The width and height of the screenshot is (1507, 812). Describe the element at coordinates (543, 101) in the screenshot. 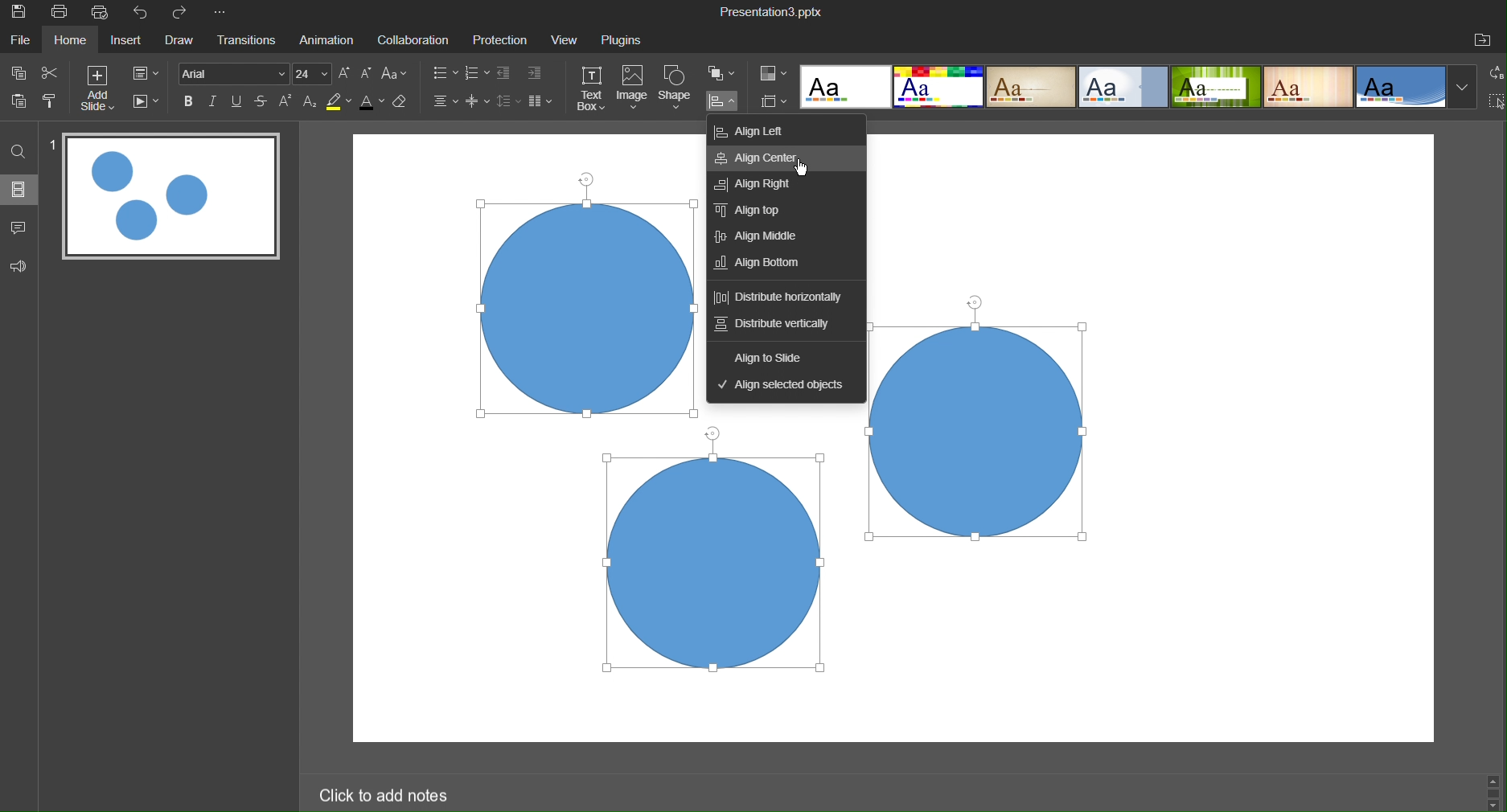

I see `Columns` at that location.